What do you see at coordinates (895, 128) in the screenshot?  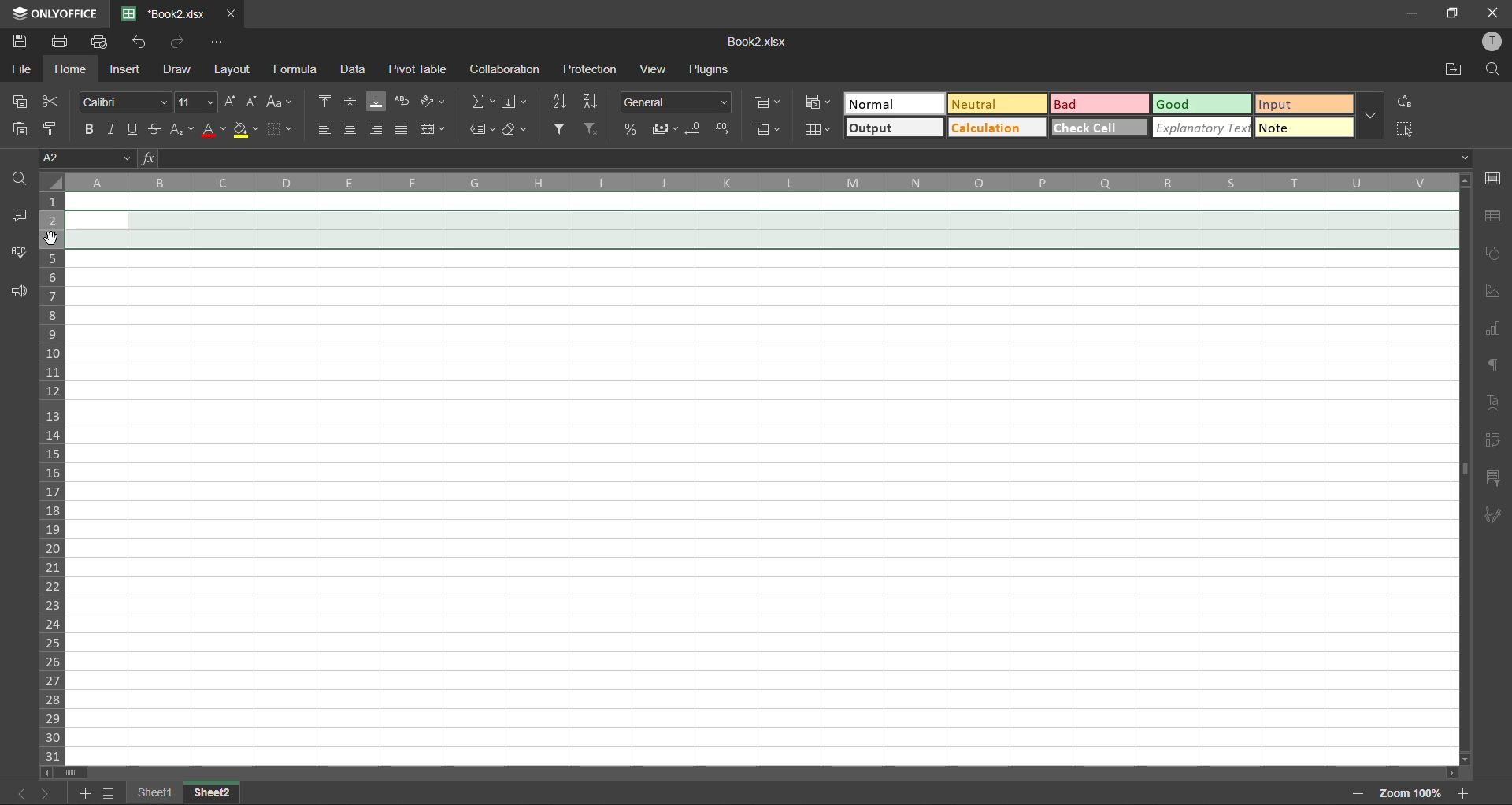 I see `output` at bounding box center [895, 128].